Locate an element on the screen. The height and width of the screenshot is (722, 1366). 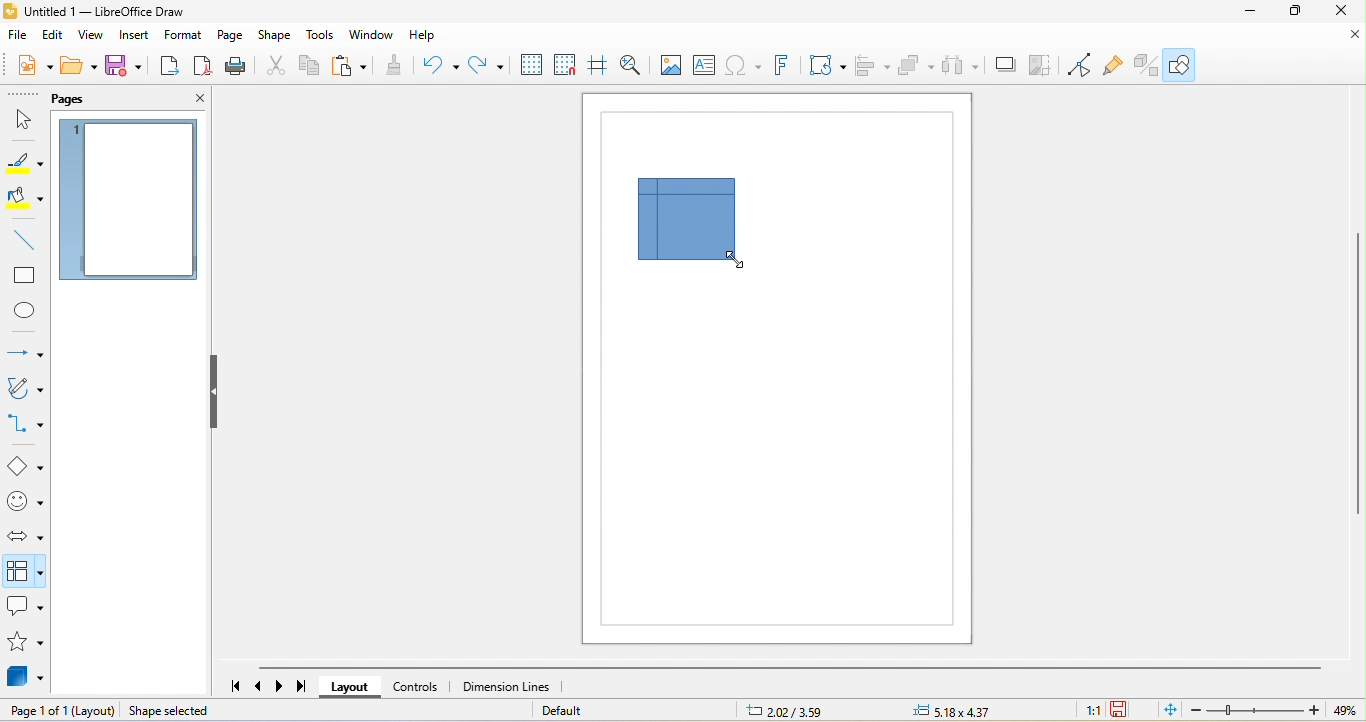
save is located at coordinates (126, 67).